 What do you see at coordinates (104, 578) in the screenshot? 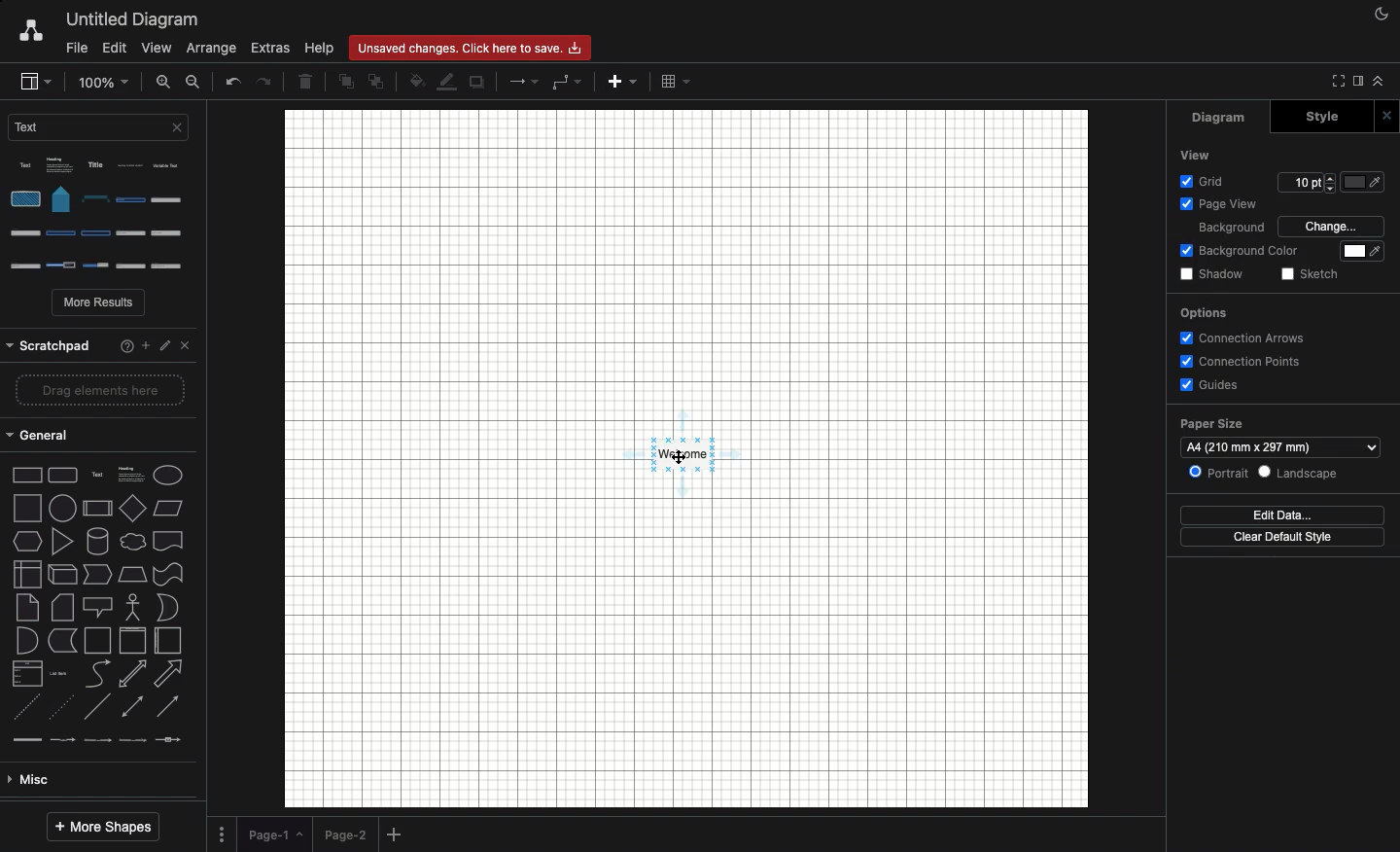
I see `line types` at bounding box center [104, 578].